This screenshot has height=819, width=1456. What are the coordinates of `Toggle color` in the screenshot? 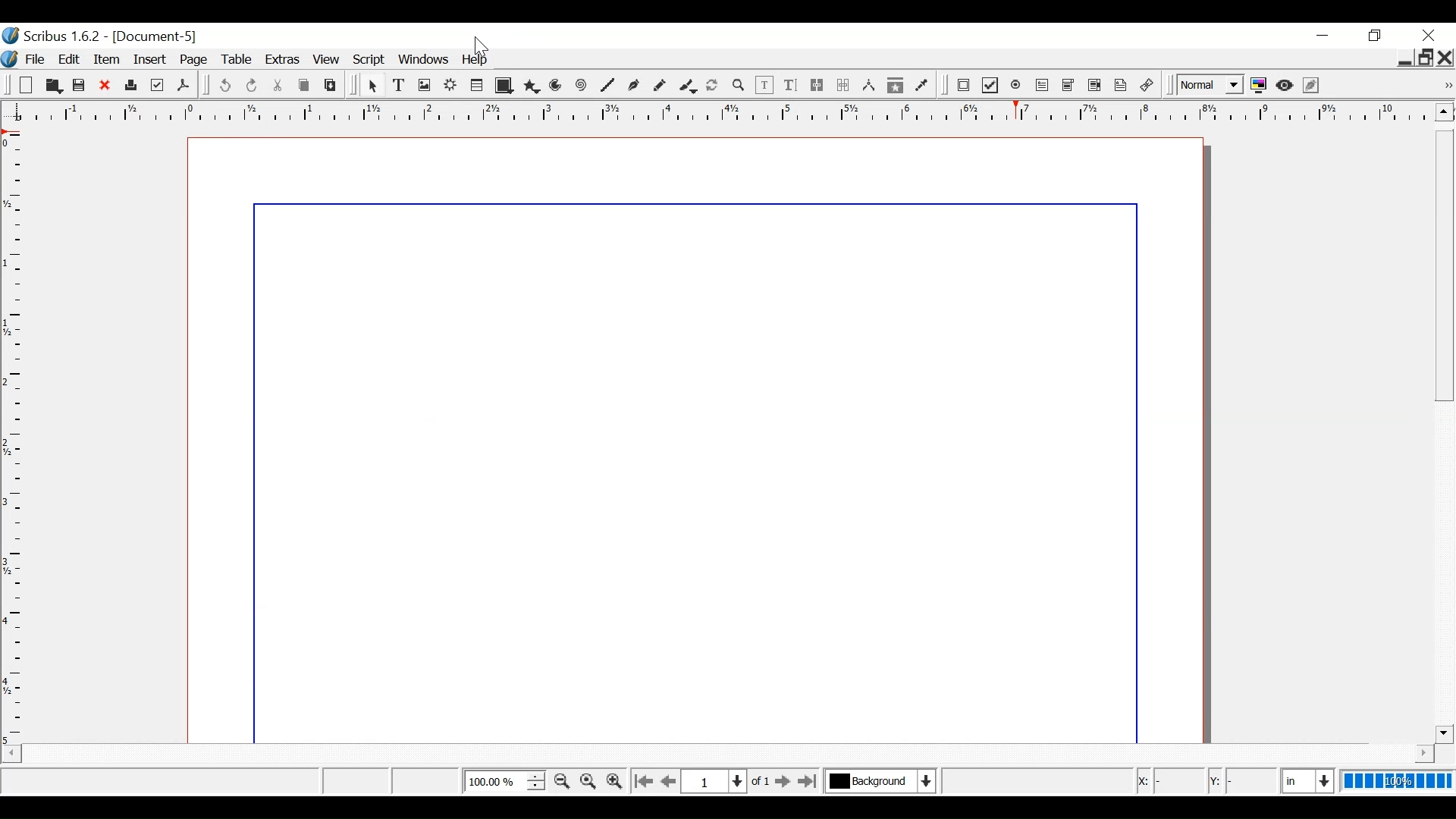 It's located at (1259, 86).